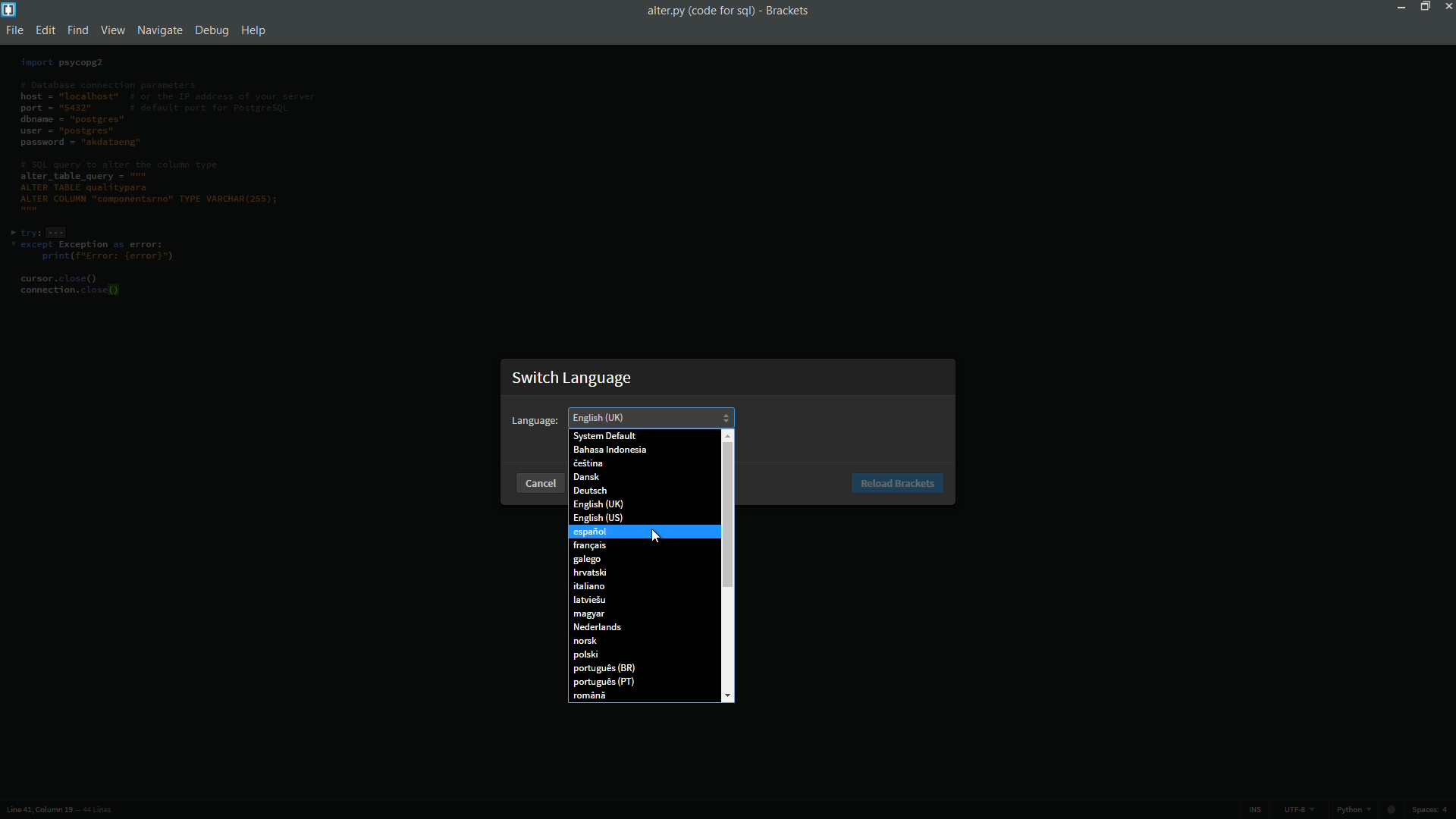 The width and height of the screenshot is (1456, 819). I want to click on file namez, so click(701, 11).